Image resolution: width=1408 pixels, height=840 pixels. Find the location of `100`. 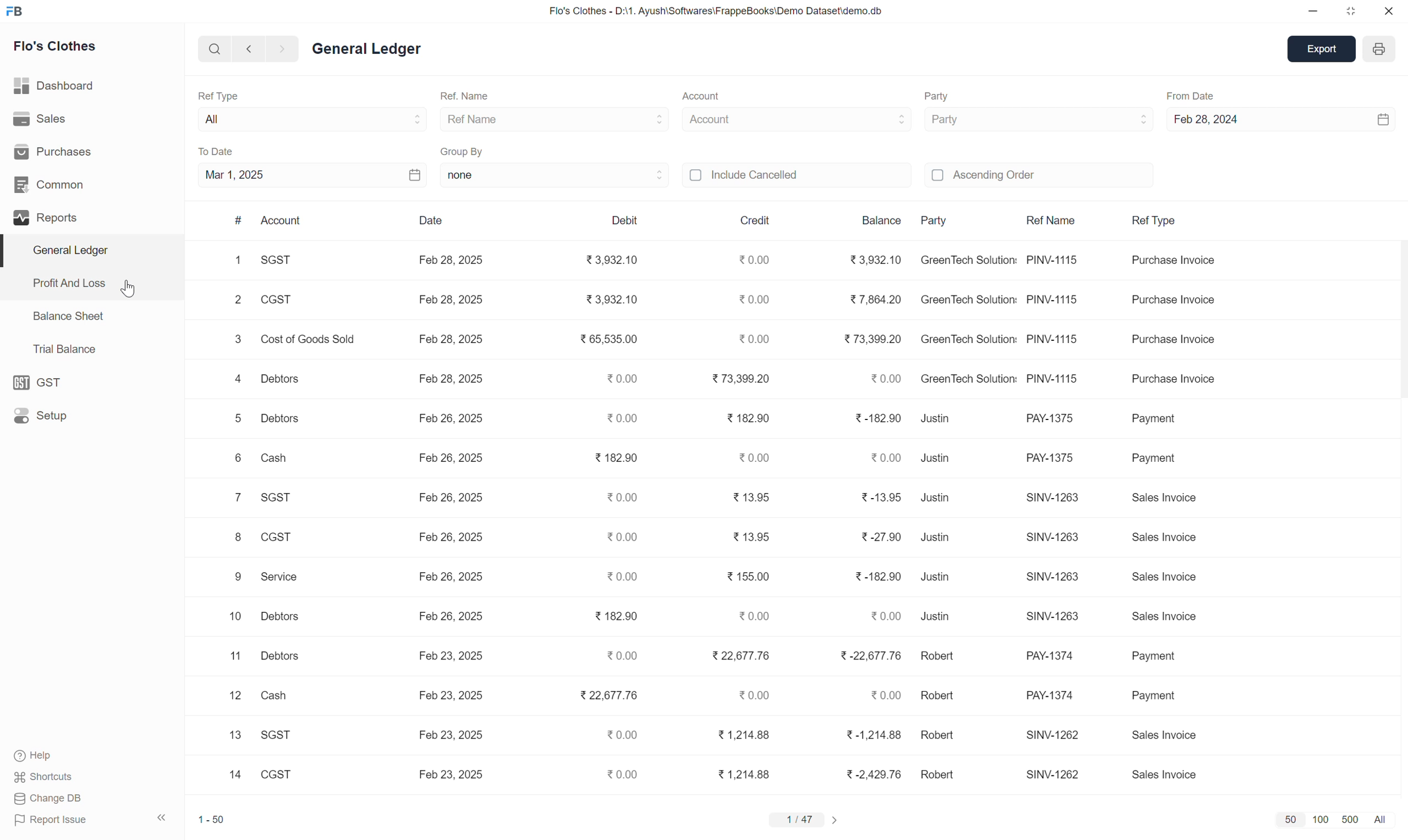

100 is located at coordinates (1318, 820).